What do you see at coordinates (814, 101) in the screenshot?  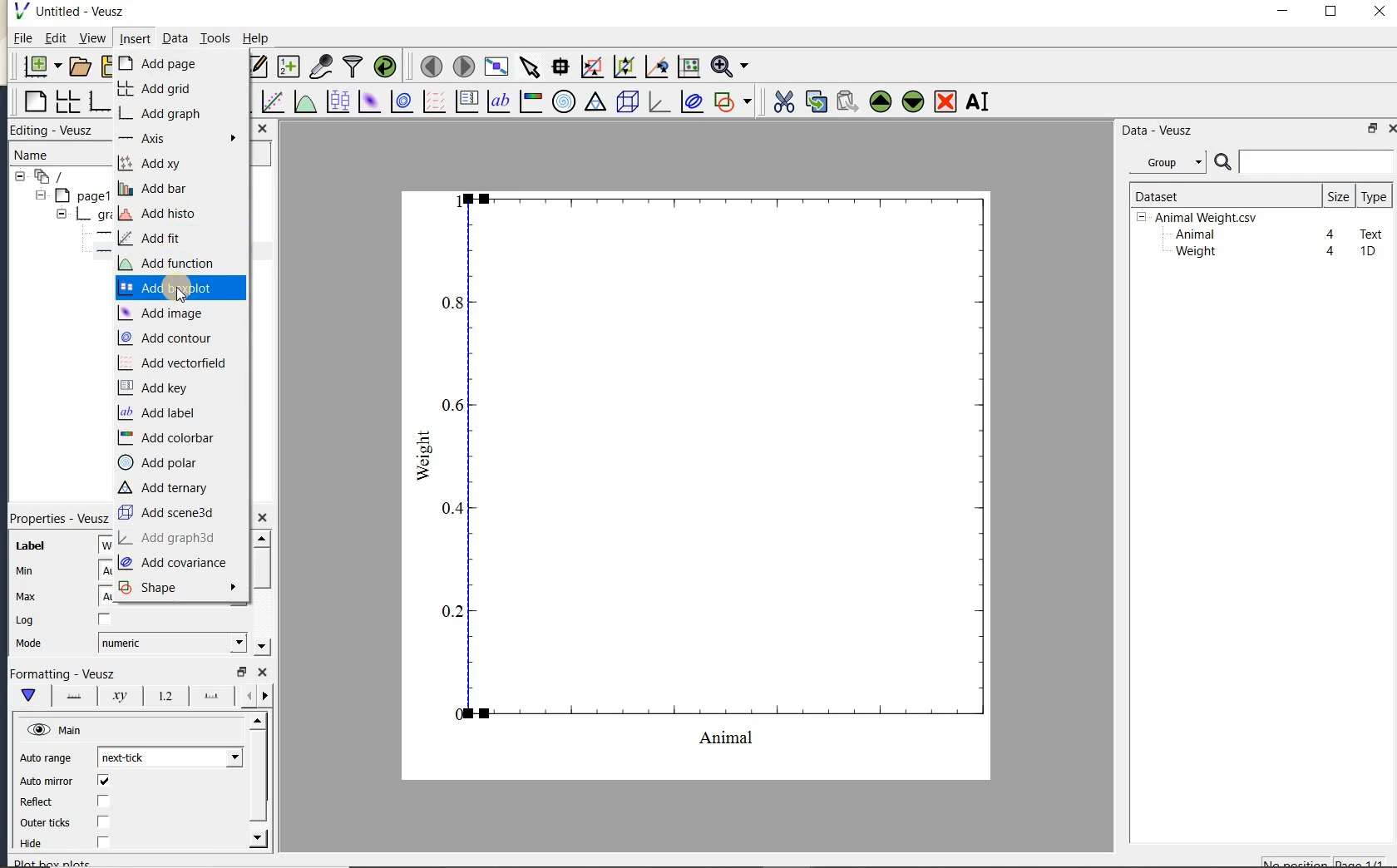 I see `copy the selected widget` at bounding box center [814, 101].